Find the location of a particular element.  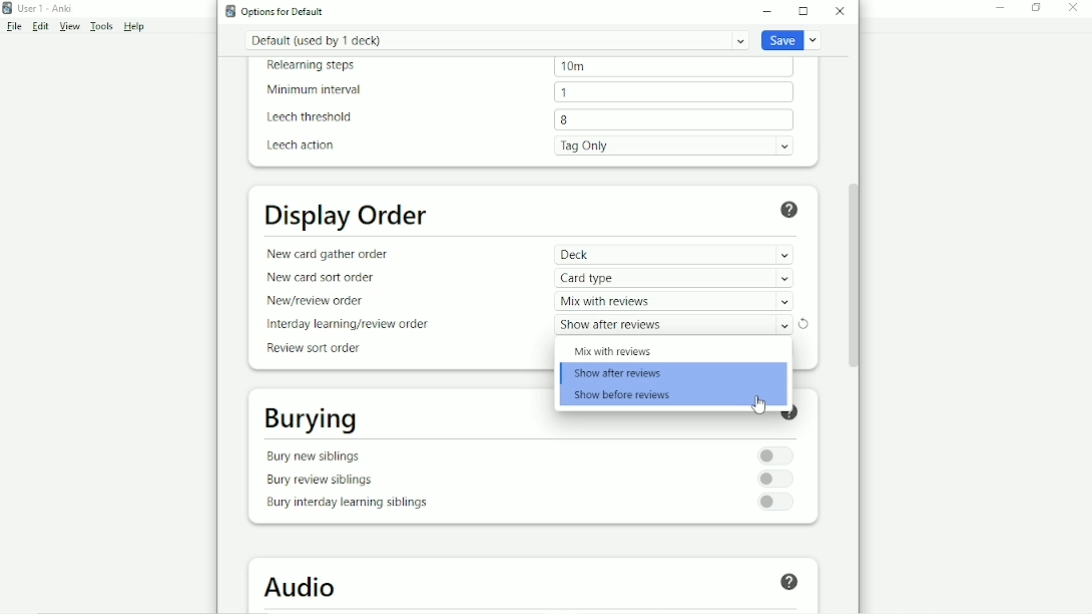

Help is located at coordinates (790, 210).